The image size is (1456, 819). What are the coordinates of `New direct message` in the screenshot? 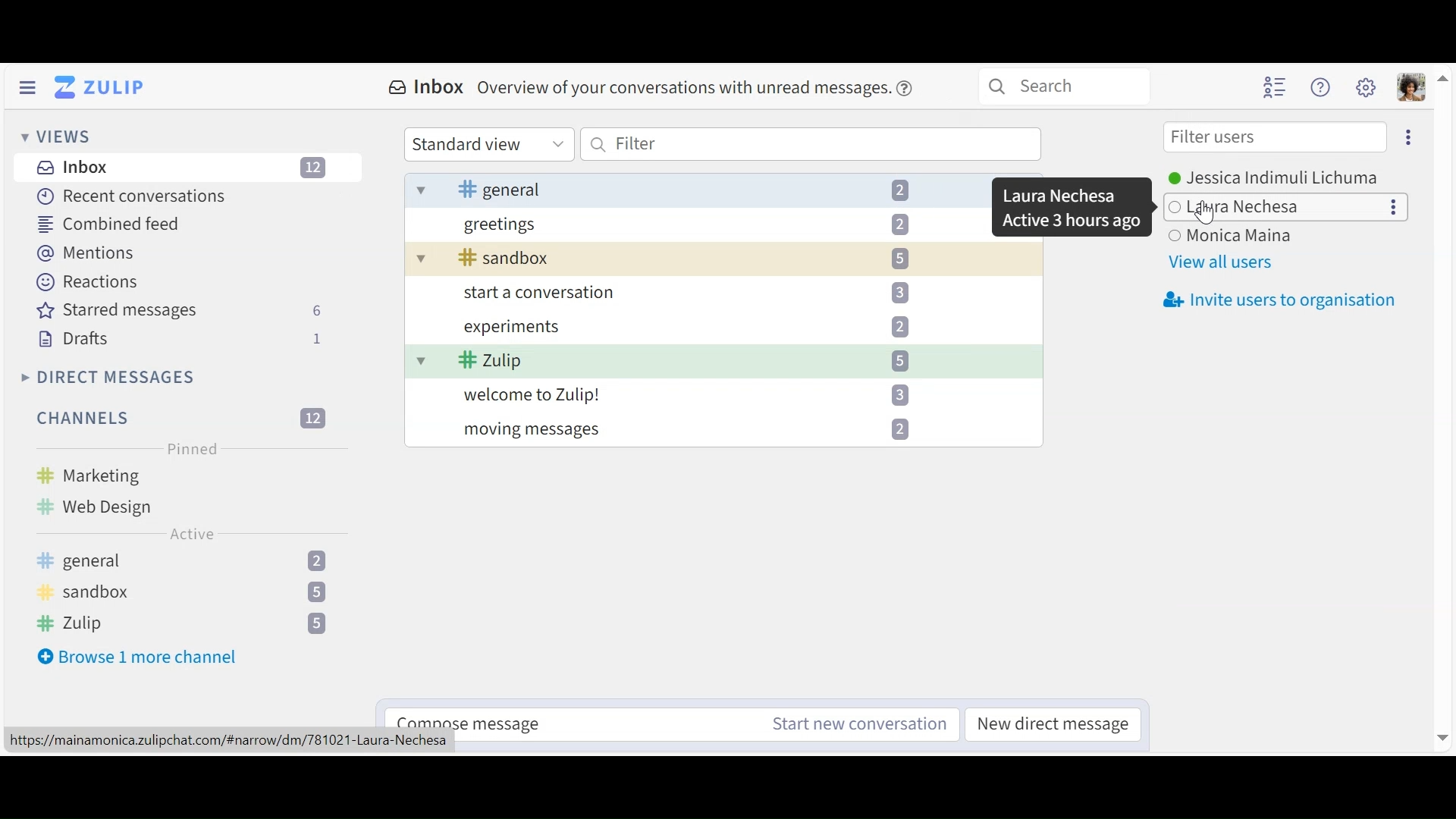 It's located at (1053, 723).